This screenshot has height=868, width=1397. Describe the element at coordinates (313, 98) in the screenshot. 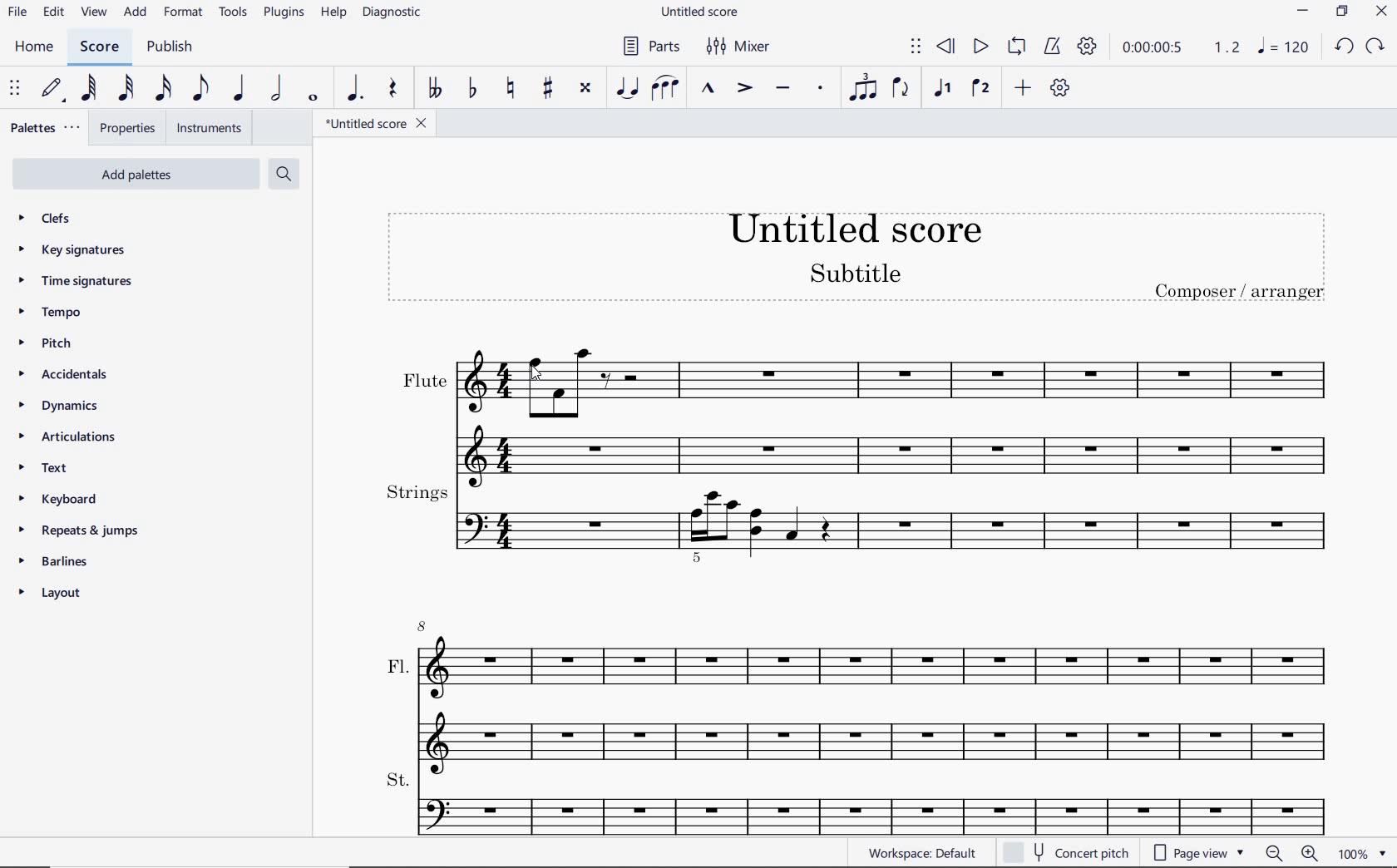

I see `WHOLE NOTE` at that location.